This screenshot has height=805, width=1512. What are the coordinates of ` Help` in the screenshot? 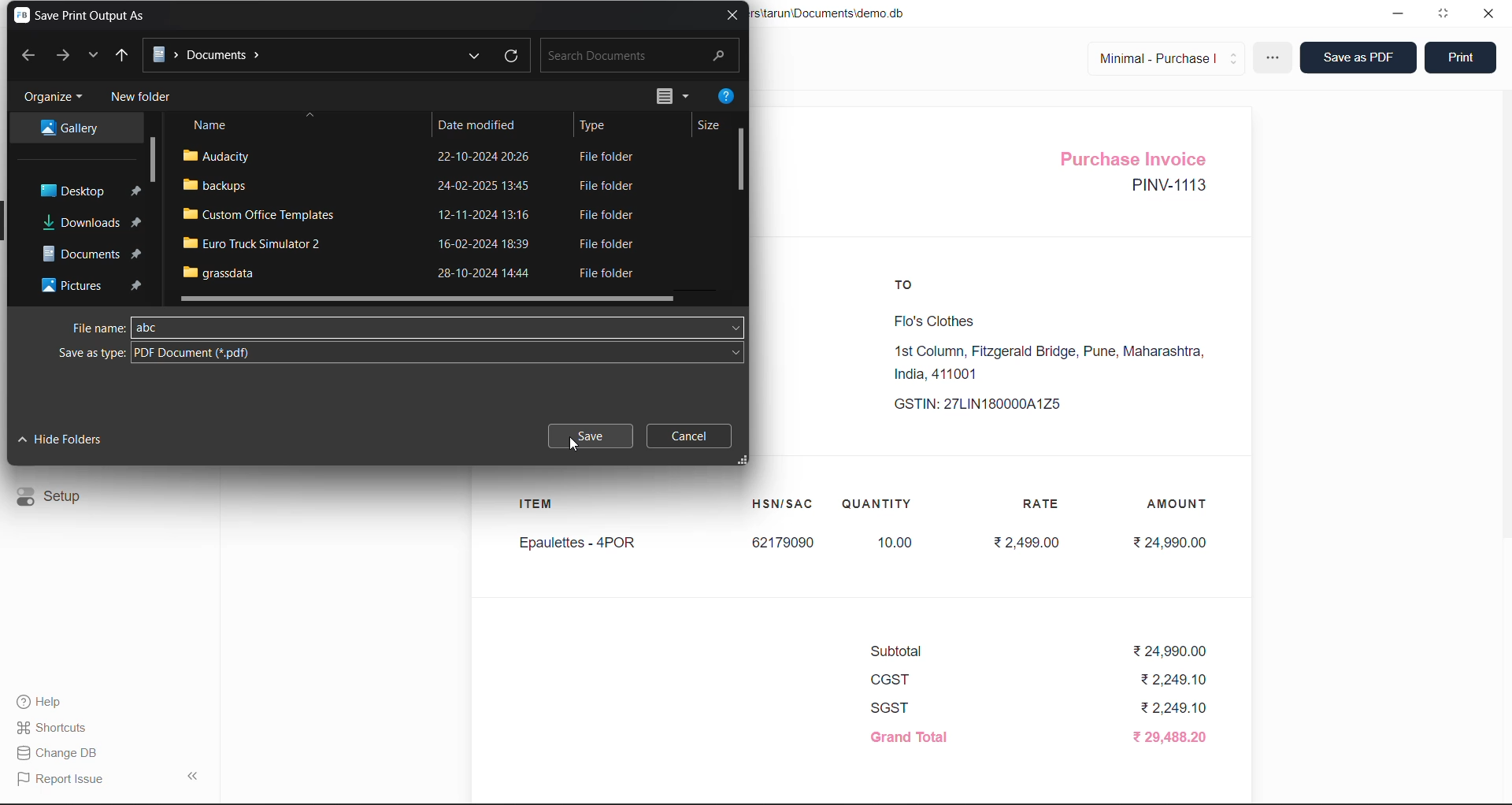 It's located at (53, 699).